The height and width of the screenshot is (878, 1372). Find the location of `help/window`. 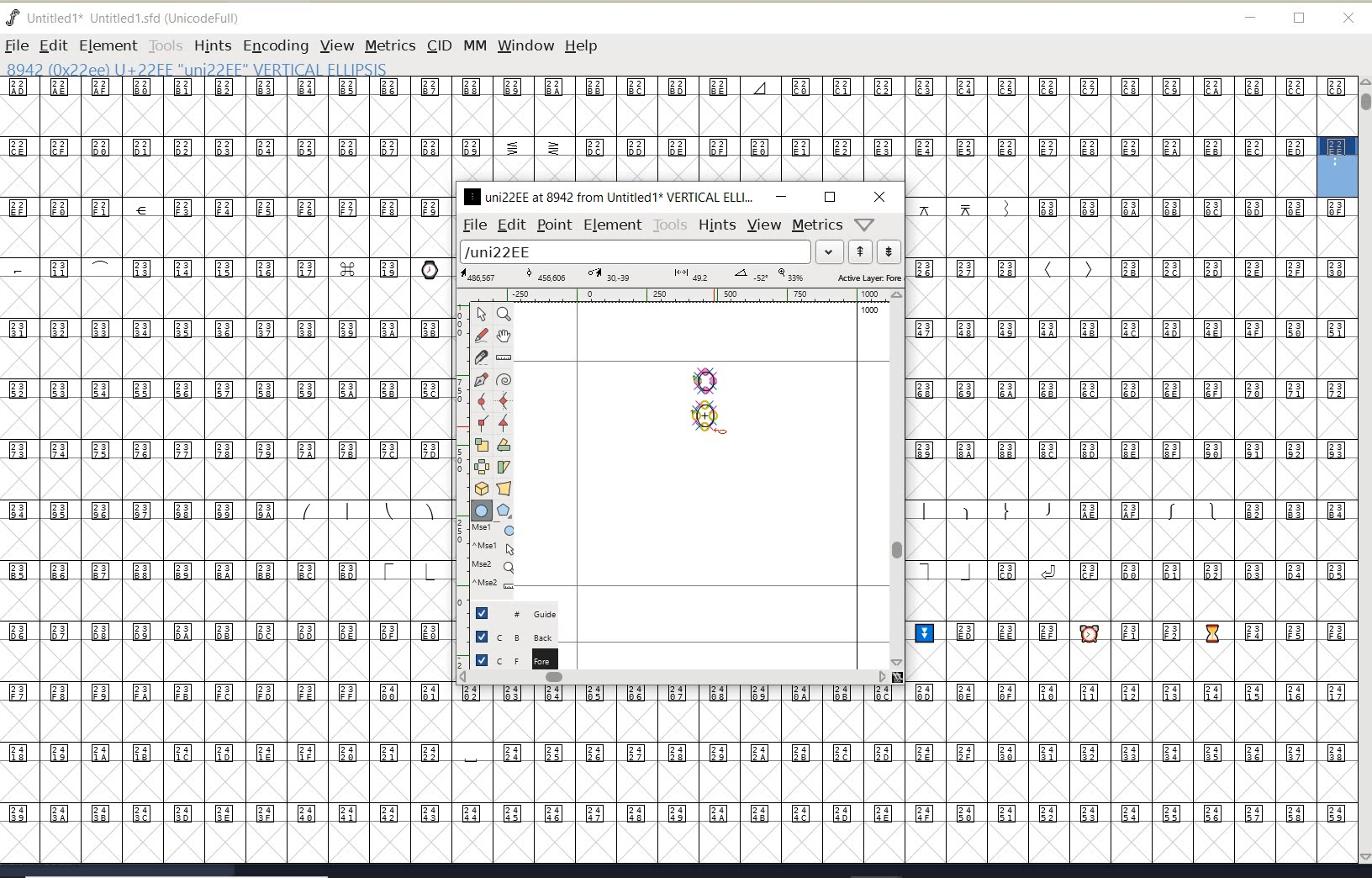

help/window is located at coordinates (865, 223).